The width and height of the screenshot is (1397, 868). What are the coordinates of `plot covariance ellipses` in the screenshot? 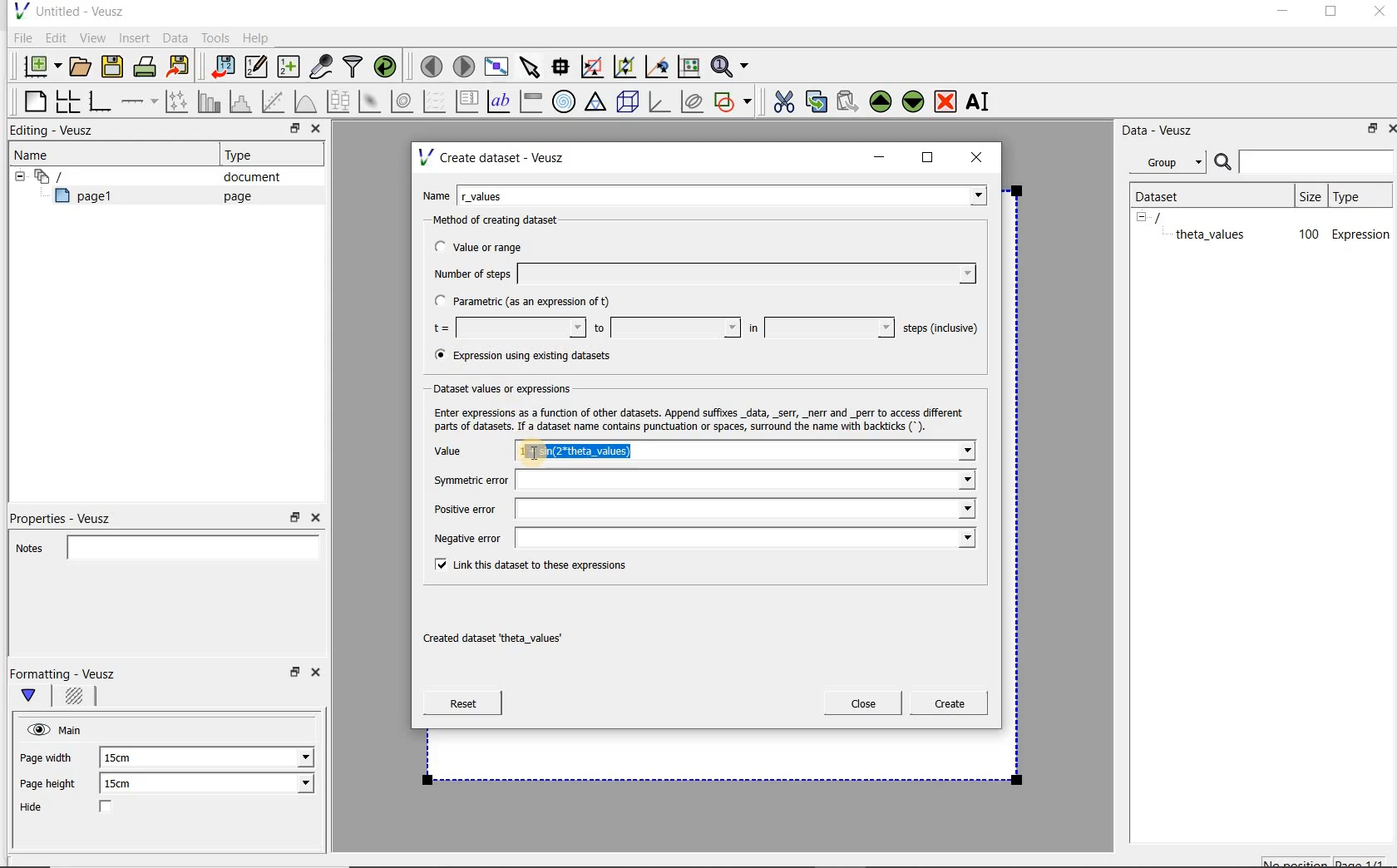 It's located at (693, 101).